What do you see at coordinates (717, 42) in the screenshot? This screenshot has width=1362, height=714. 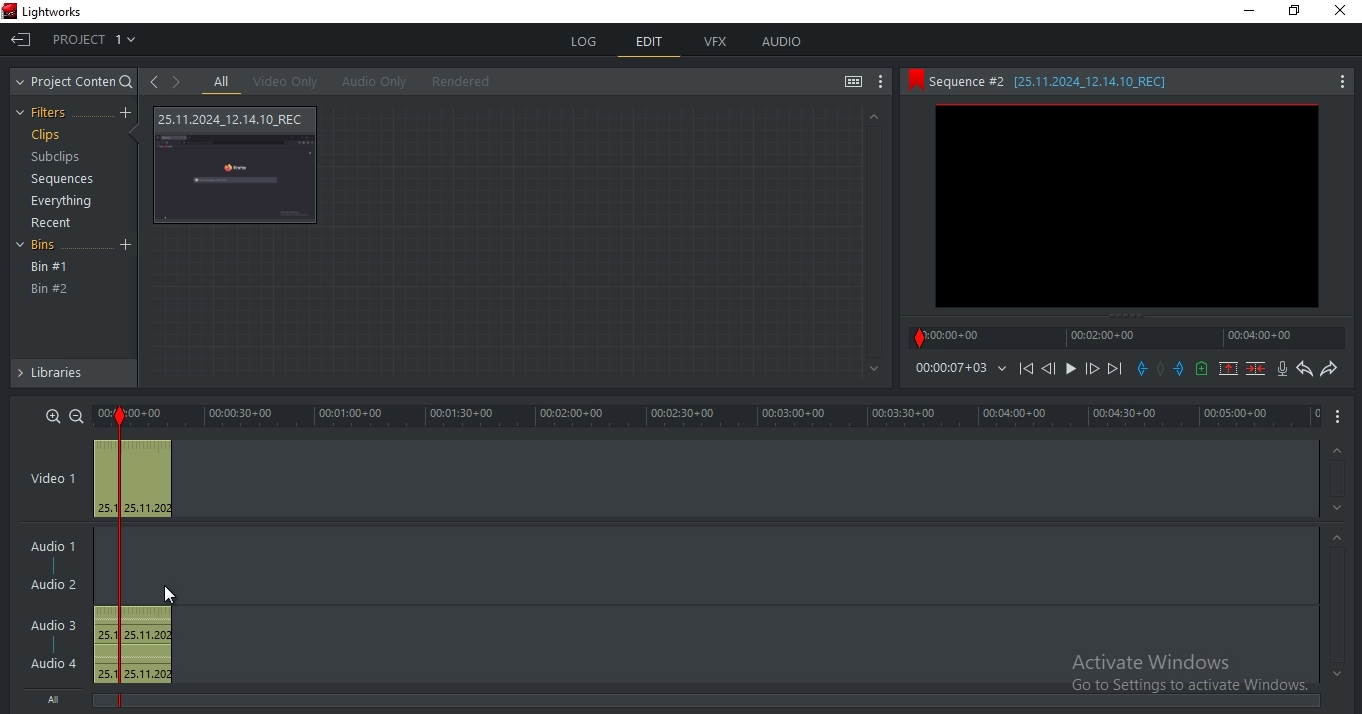 I see `vfx` at bounding box center [717, 42].